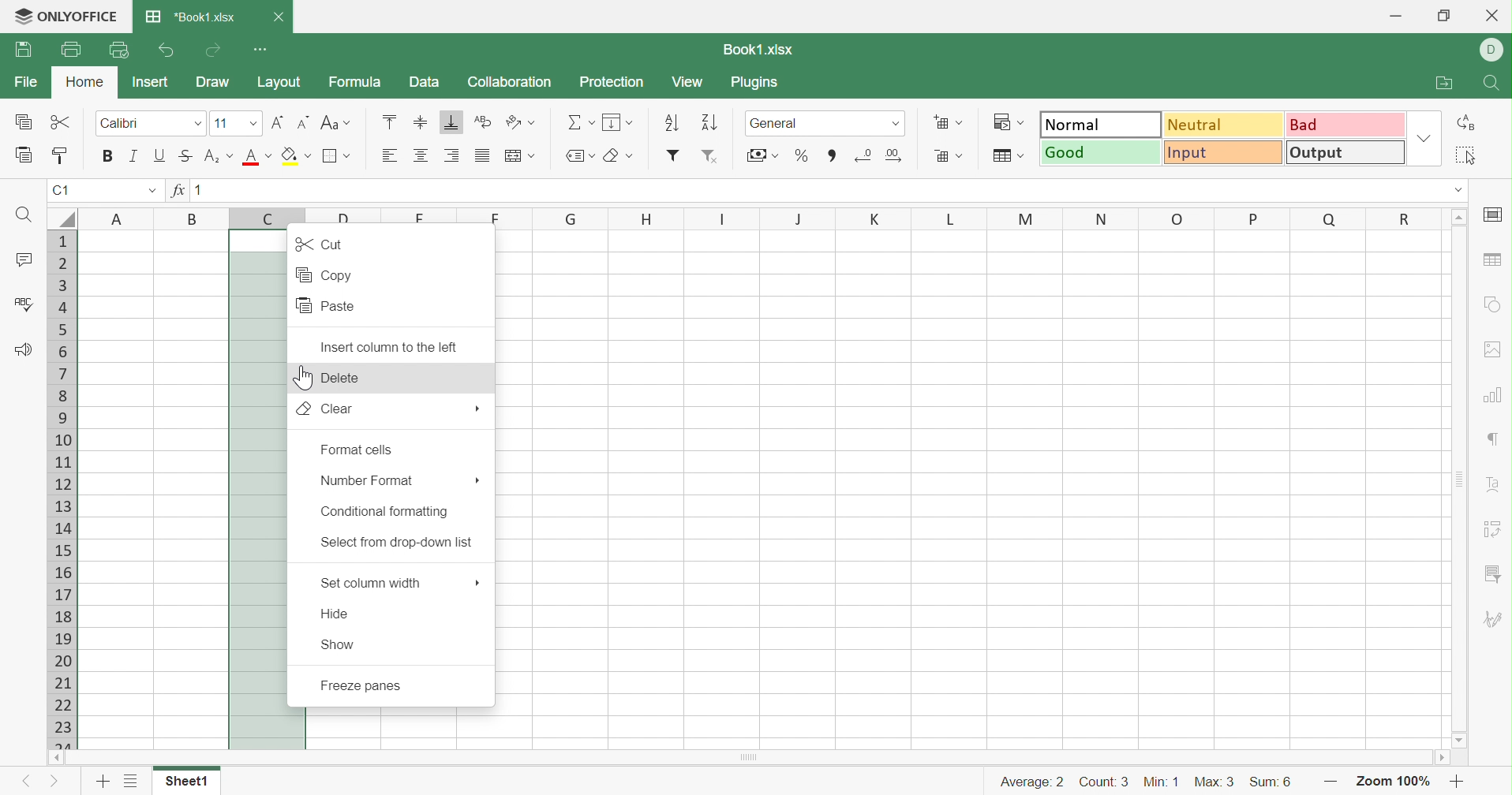 The height and width of the screenshot is (795, 1512). What do you see at coordinates (350, 157) in the screenshot?
I see `Drop Down` at bounding box center [350, 157].